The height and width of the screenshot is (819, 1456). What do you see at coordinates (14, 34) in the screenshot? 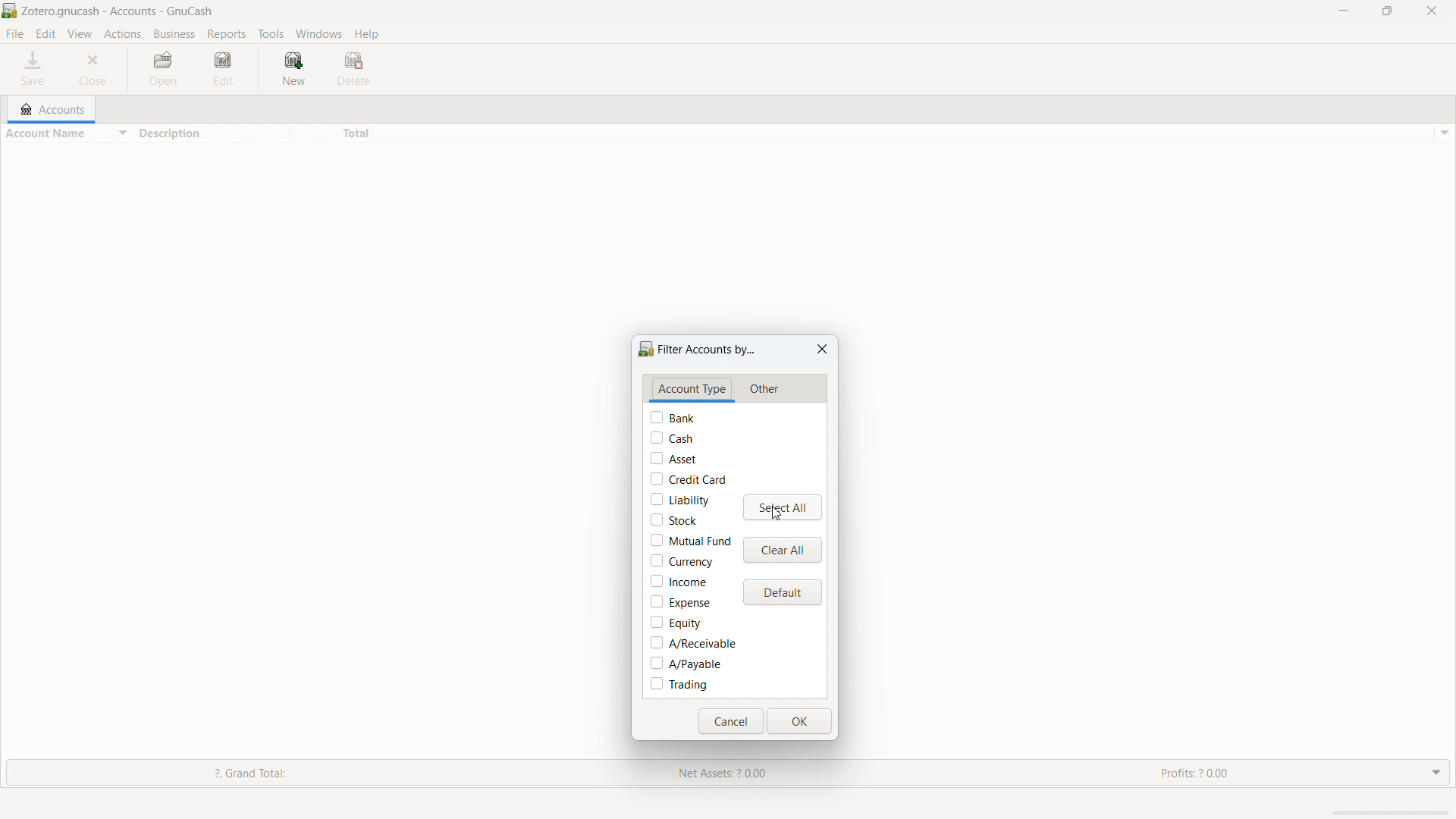
I see `file` at bounding box center [14, 34].